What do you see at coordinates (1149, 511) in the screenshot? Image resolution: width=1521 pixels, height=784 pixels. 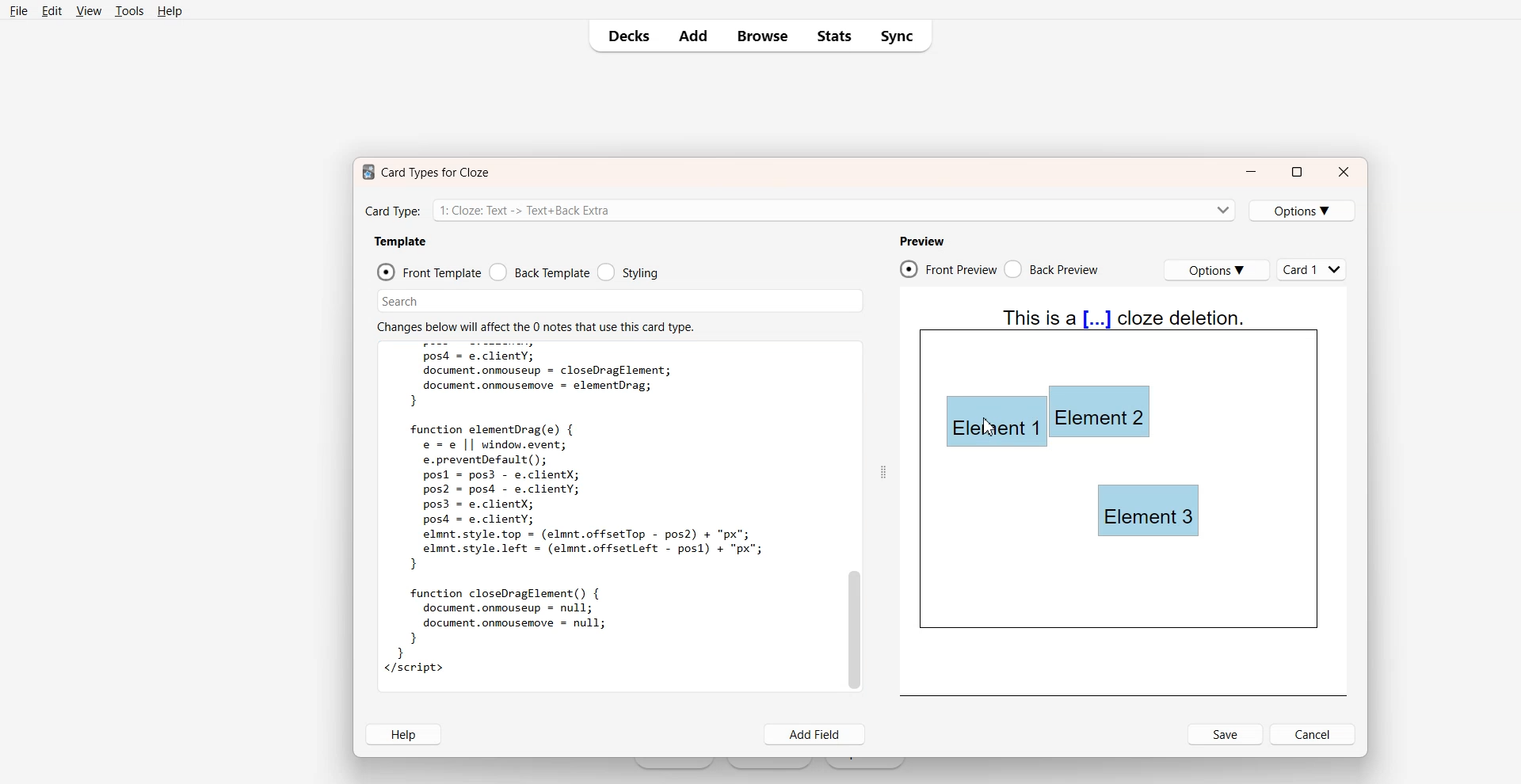 I see `Element 3` at bounding box center [1149, 511].